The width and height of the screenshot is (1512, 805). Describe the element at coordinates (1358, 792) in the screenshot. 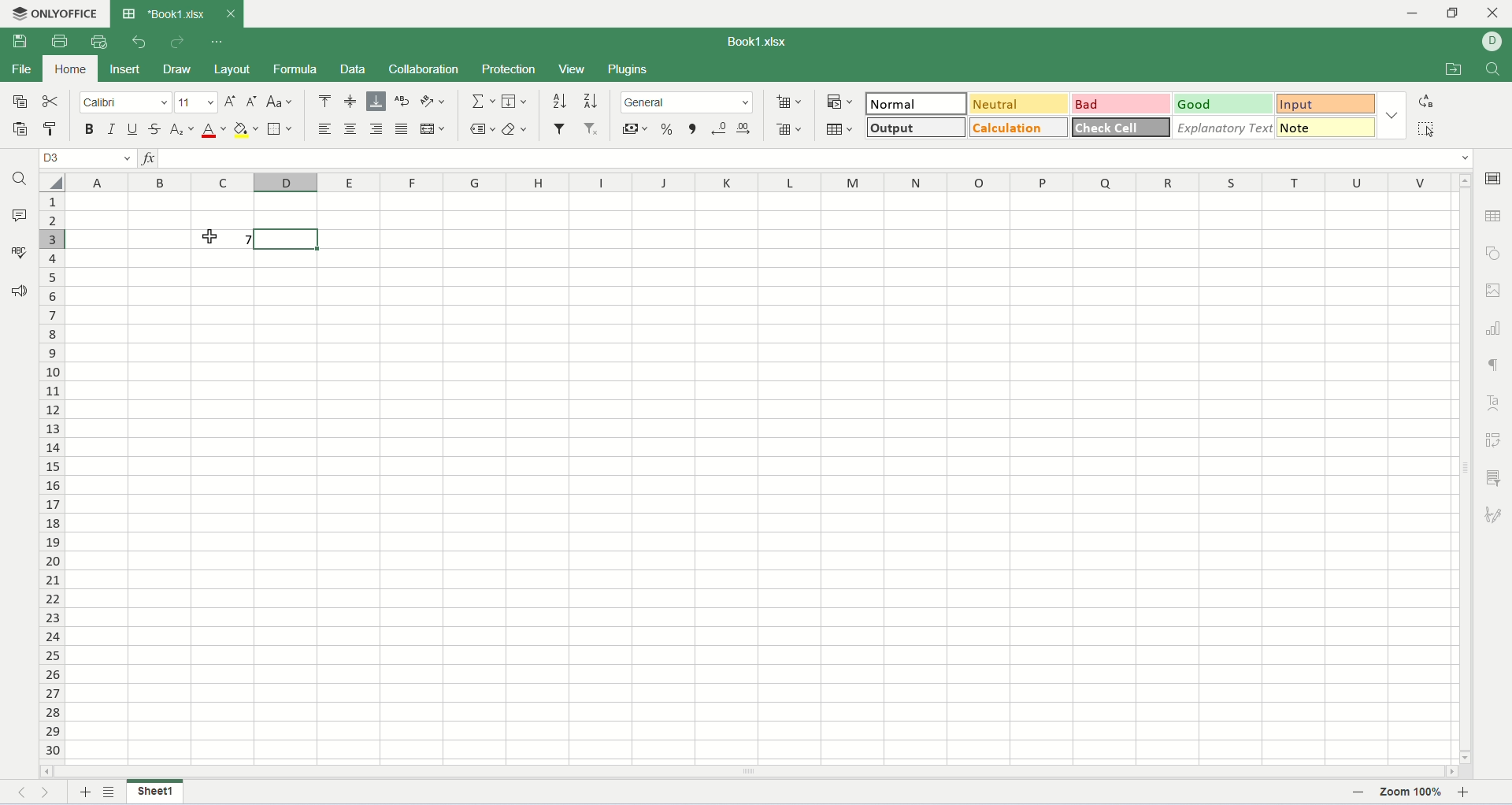

I see `zoom out` at that location.